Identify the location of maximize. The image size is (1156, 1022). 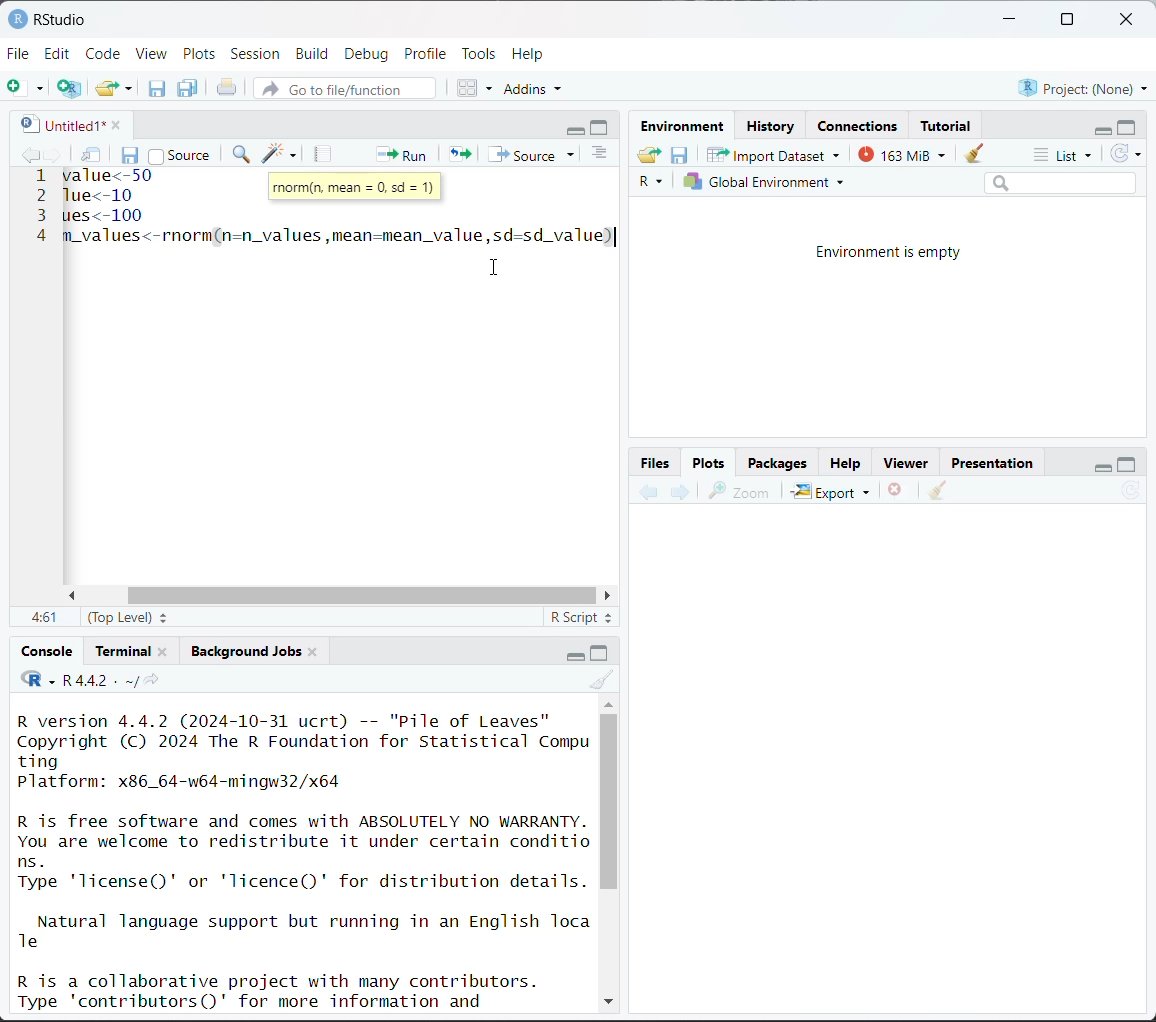
(601, 652).